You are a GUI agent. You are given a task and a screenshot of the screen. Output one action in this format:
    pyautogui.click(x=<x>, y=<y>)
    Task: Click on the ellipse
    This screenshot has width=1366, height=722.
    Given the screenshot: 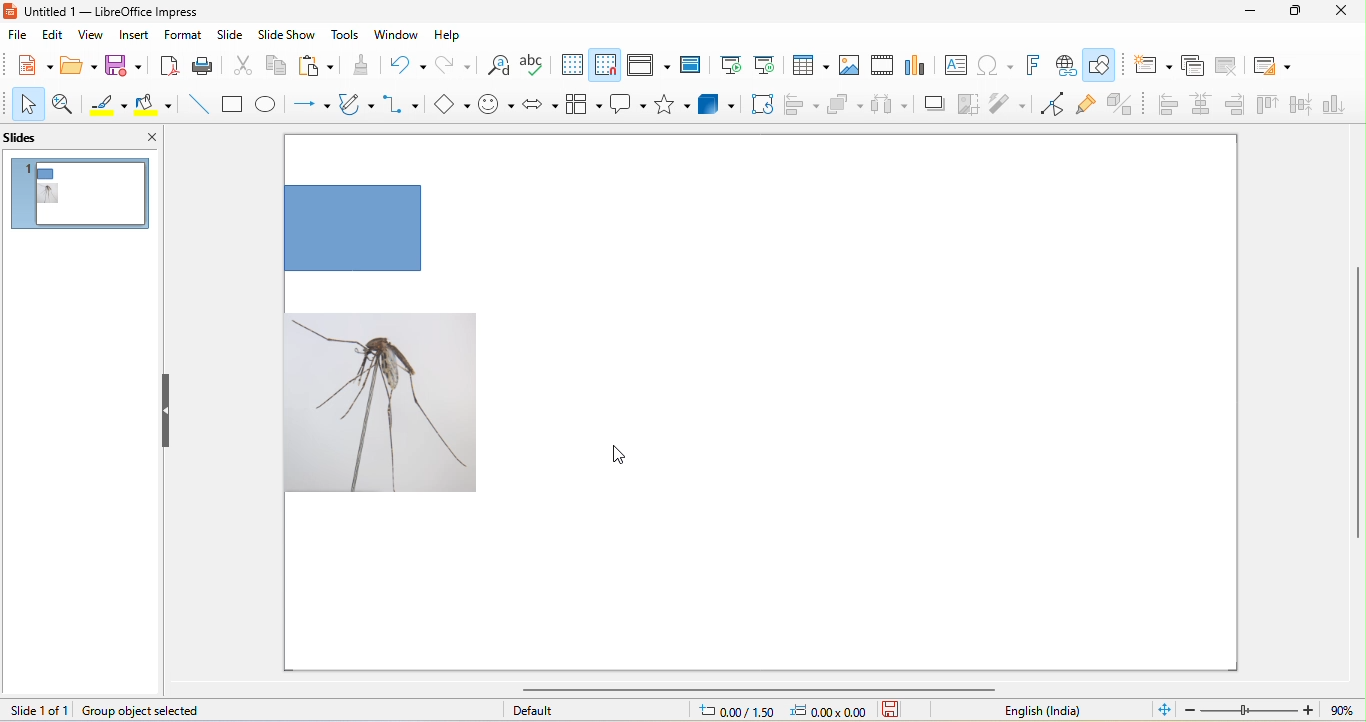 What is the action you would take?
    pyautogui.click(x=269, y=106)
    